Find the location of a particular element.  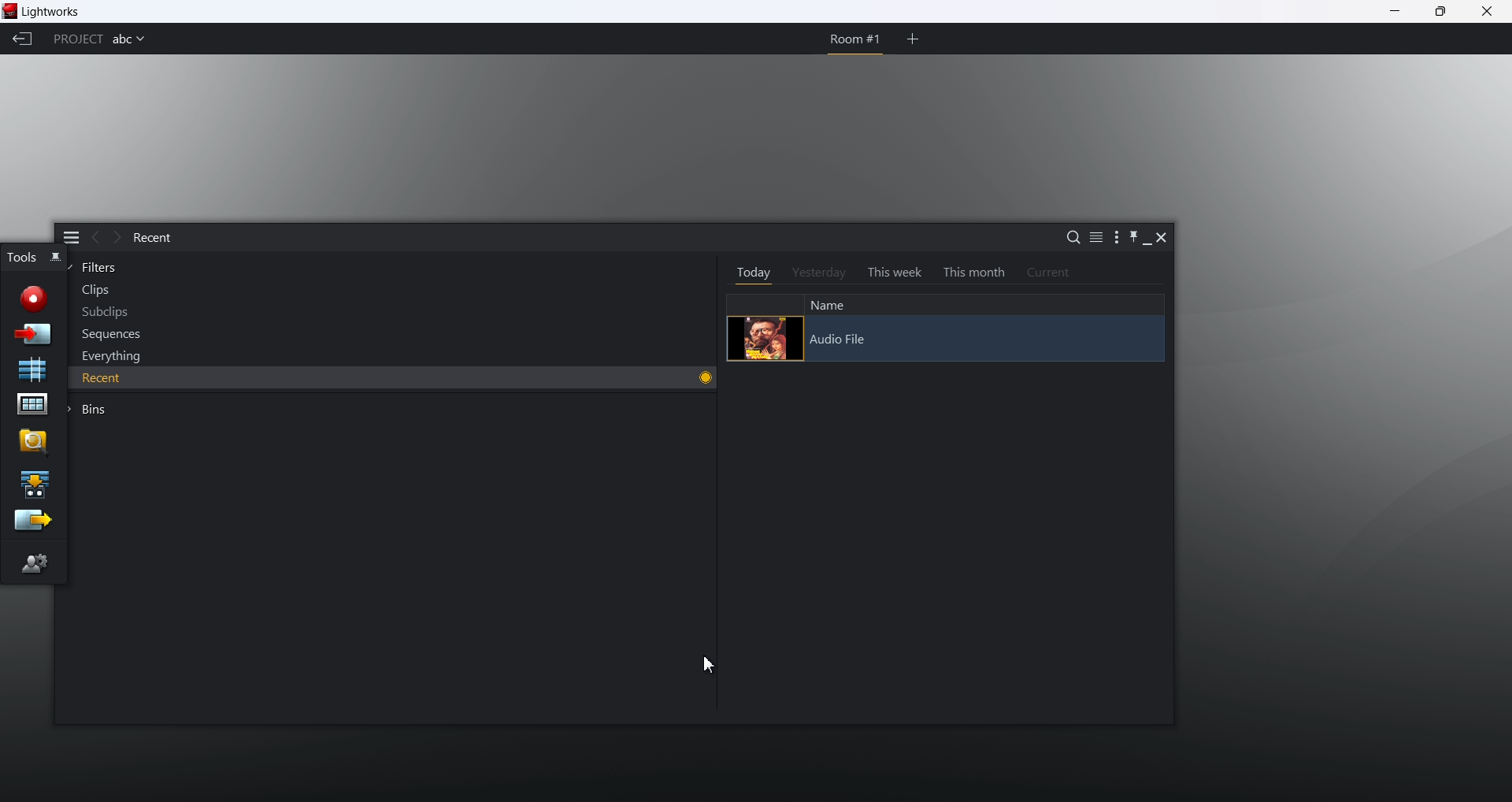

play a sequence is located at coordinates (34, 483).